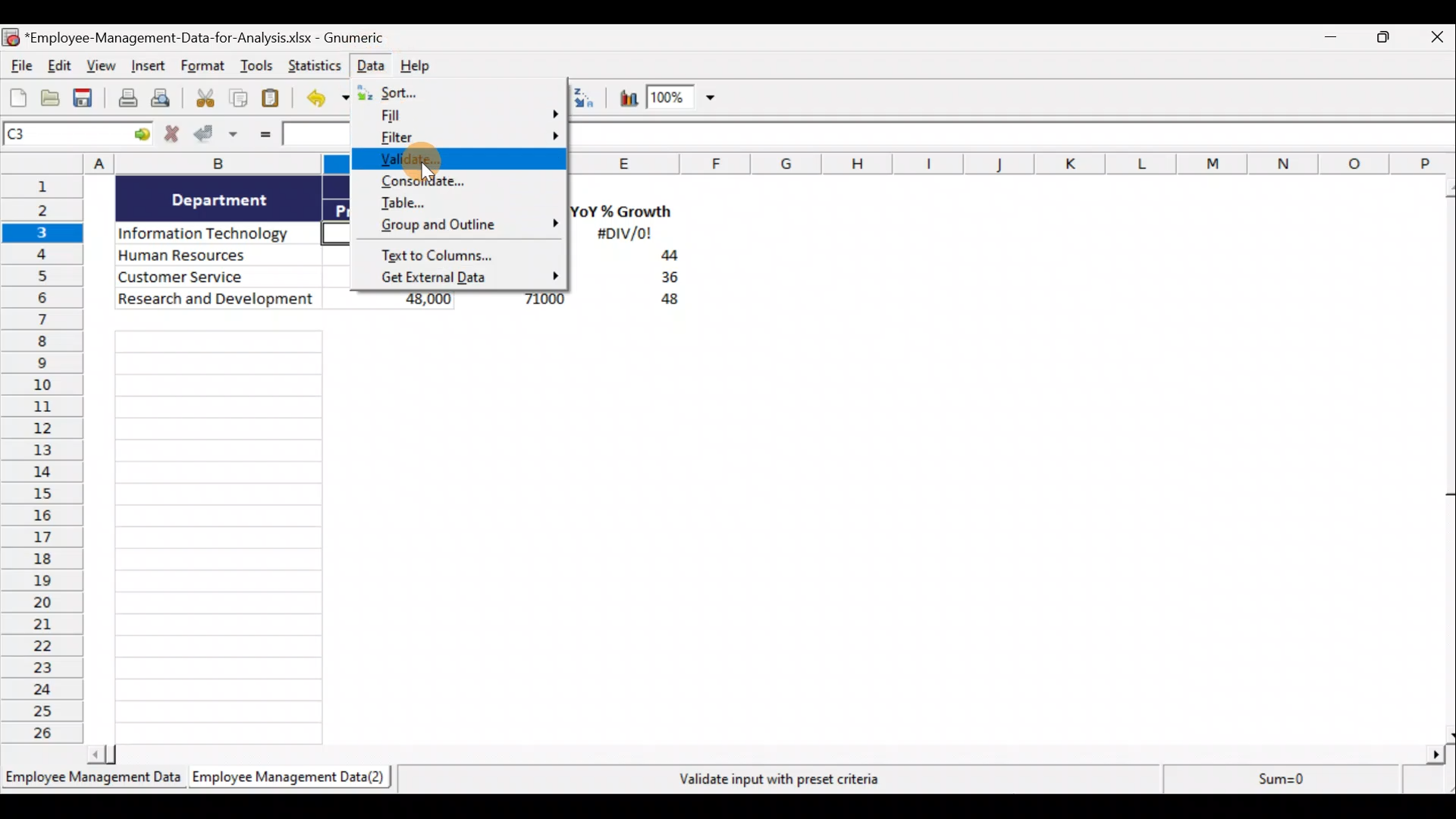 Image resolution: width=1456 pixels, height=819 pixels. I want to click on View, so click(103, 67).